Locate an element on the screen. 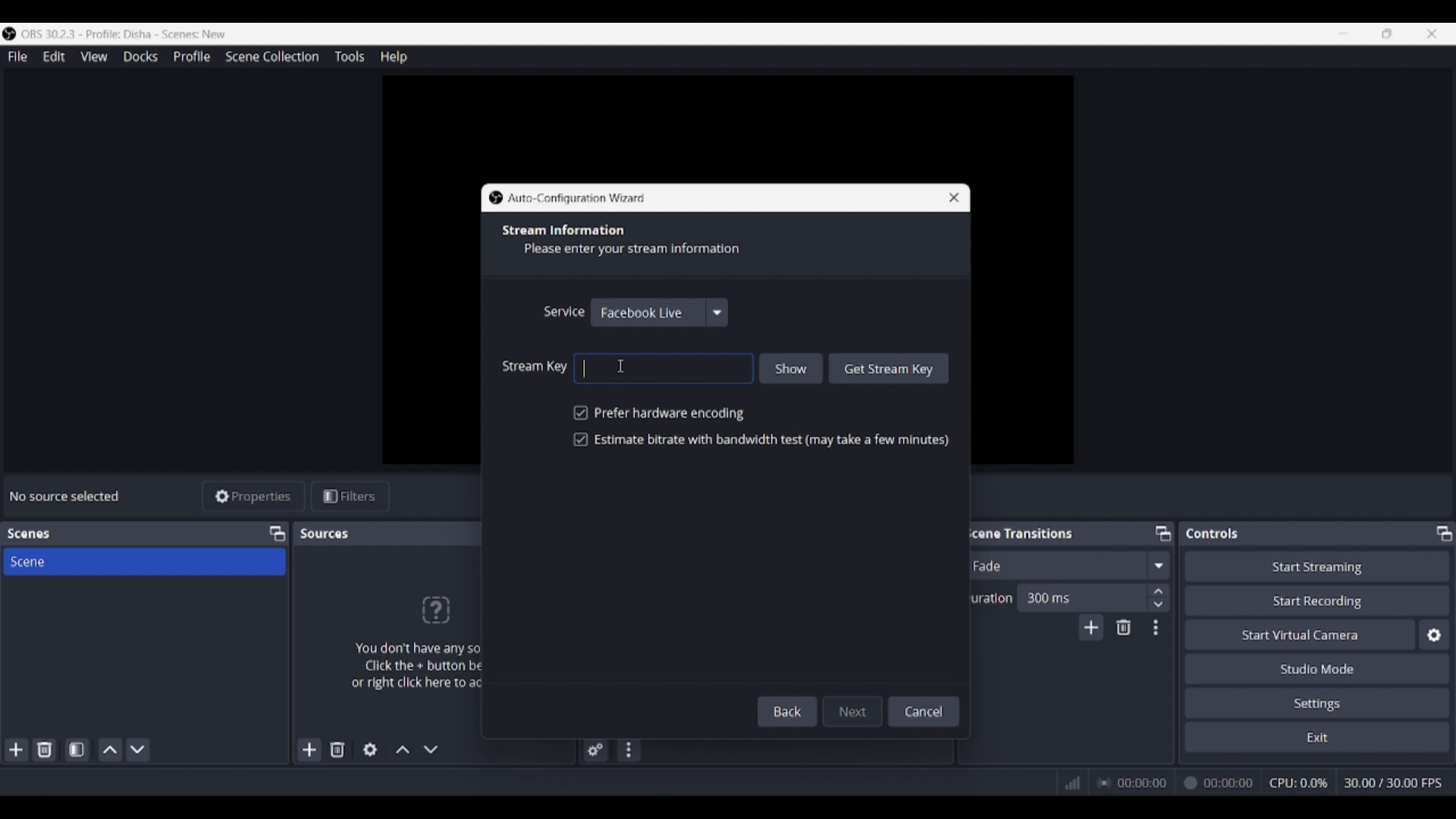 This screenshot has width=1456, height=819. Configure virtual camera is located at coordinates (1434, 635).